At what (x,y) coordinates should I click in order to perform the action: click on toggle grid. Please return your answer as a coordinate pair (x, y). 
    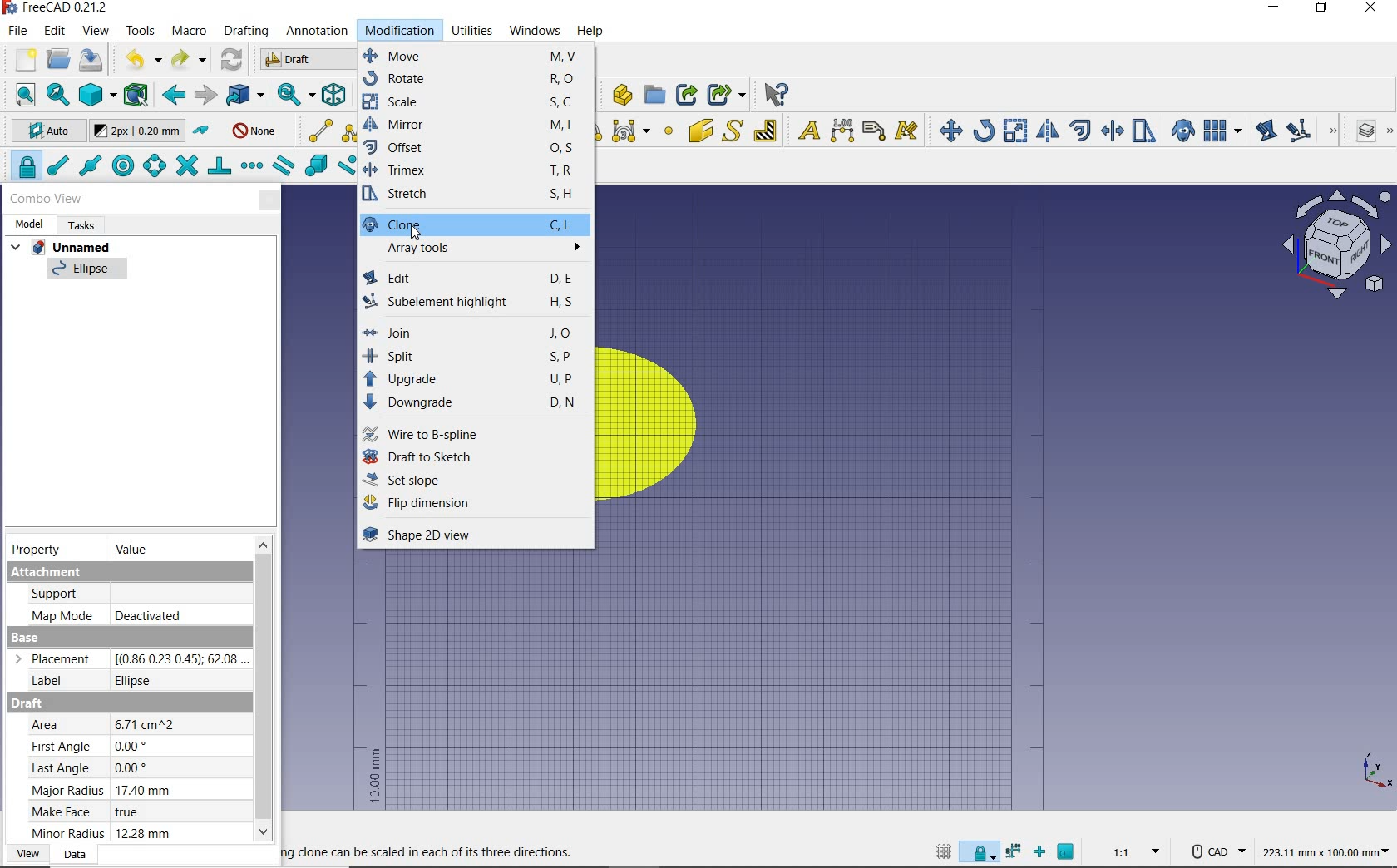
    Looking at the image, I should click on (941, 853).